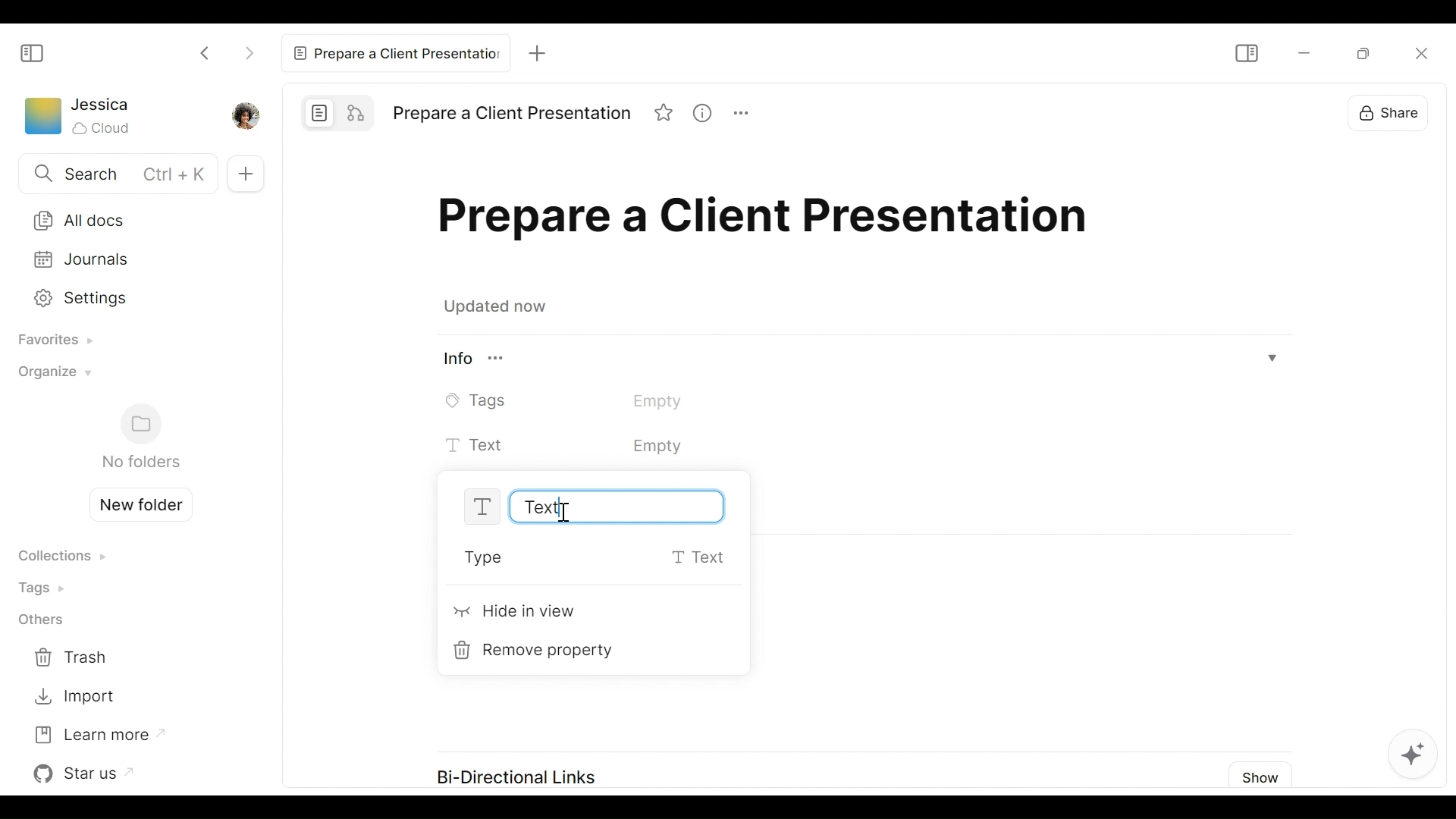 The height and width of the screenshot is (819, 1456). What do you see at coordinates (50, 341) in the screenshot?
I see `Favorites` at bounding box center [50, 341].